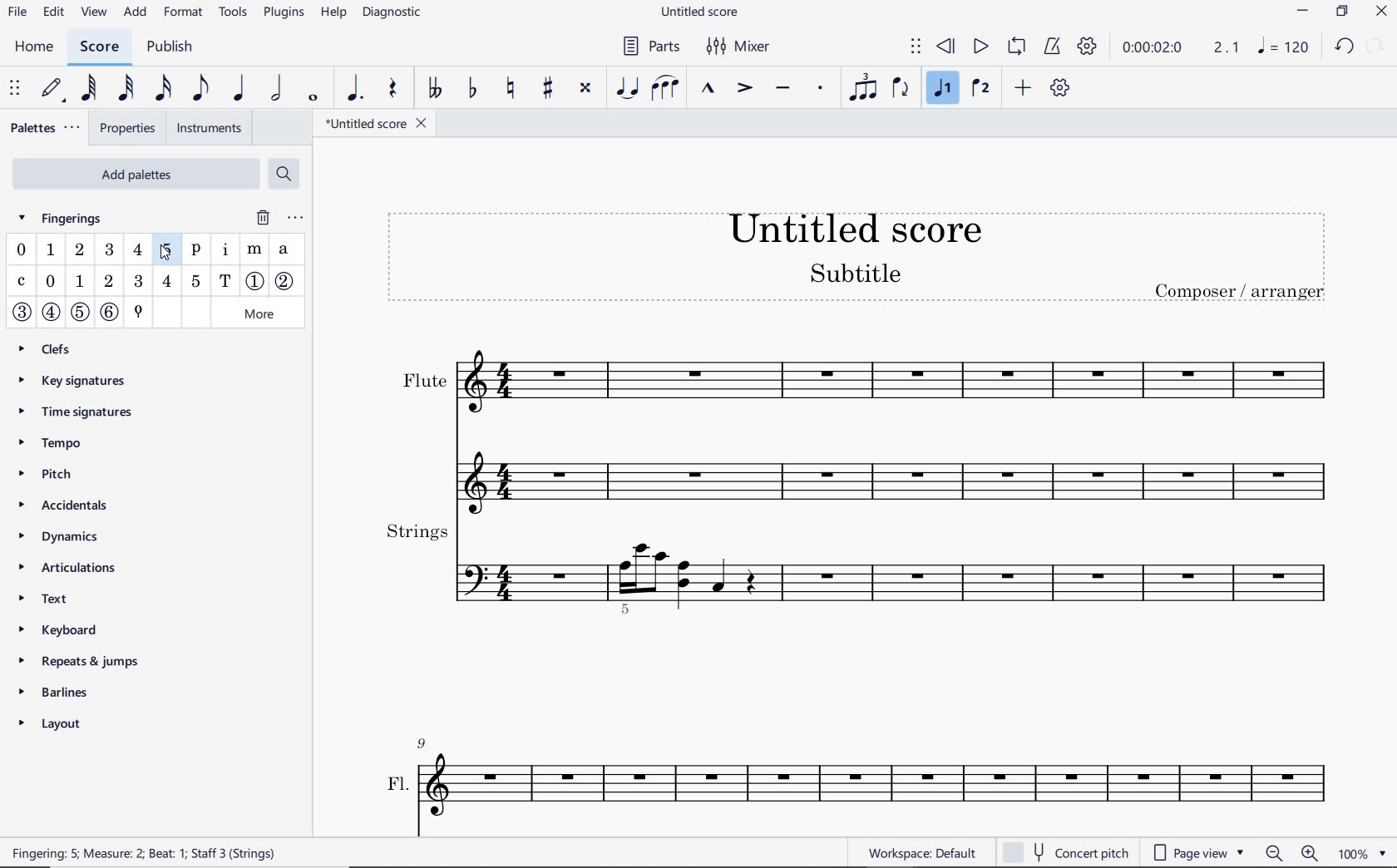 This screenshot has width=1397, height=868. Describe the element at coordinates (53, 89) in the screenshot. I see `default (step time)` at that location.